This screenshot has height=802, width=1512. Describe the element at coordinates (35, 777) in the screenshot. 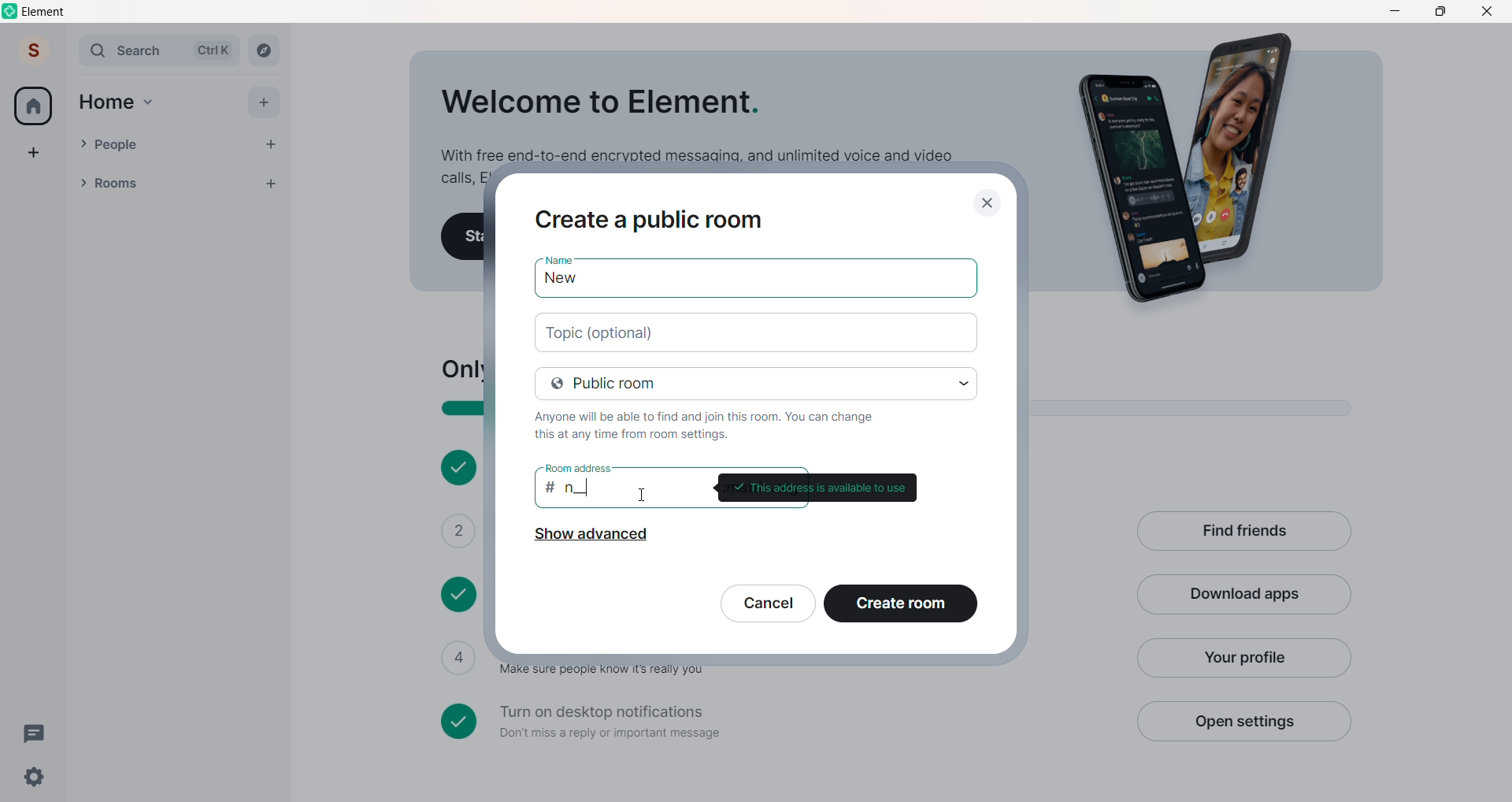

I see `Quick Settings` at that location.